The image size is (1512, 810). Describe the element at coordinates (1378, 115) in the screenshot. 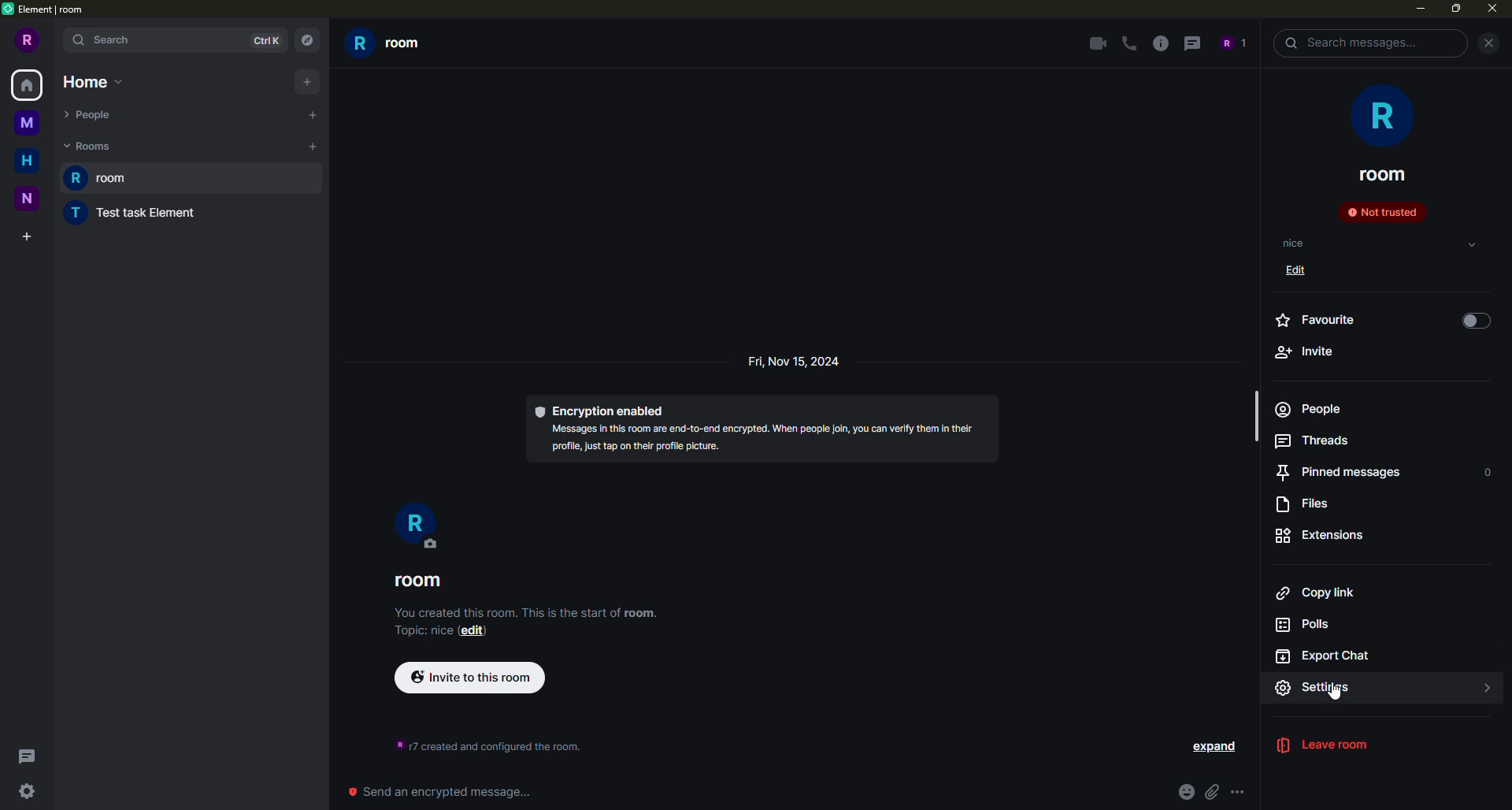

I see `profile pic` at that location.